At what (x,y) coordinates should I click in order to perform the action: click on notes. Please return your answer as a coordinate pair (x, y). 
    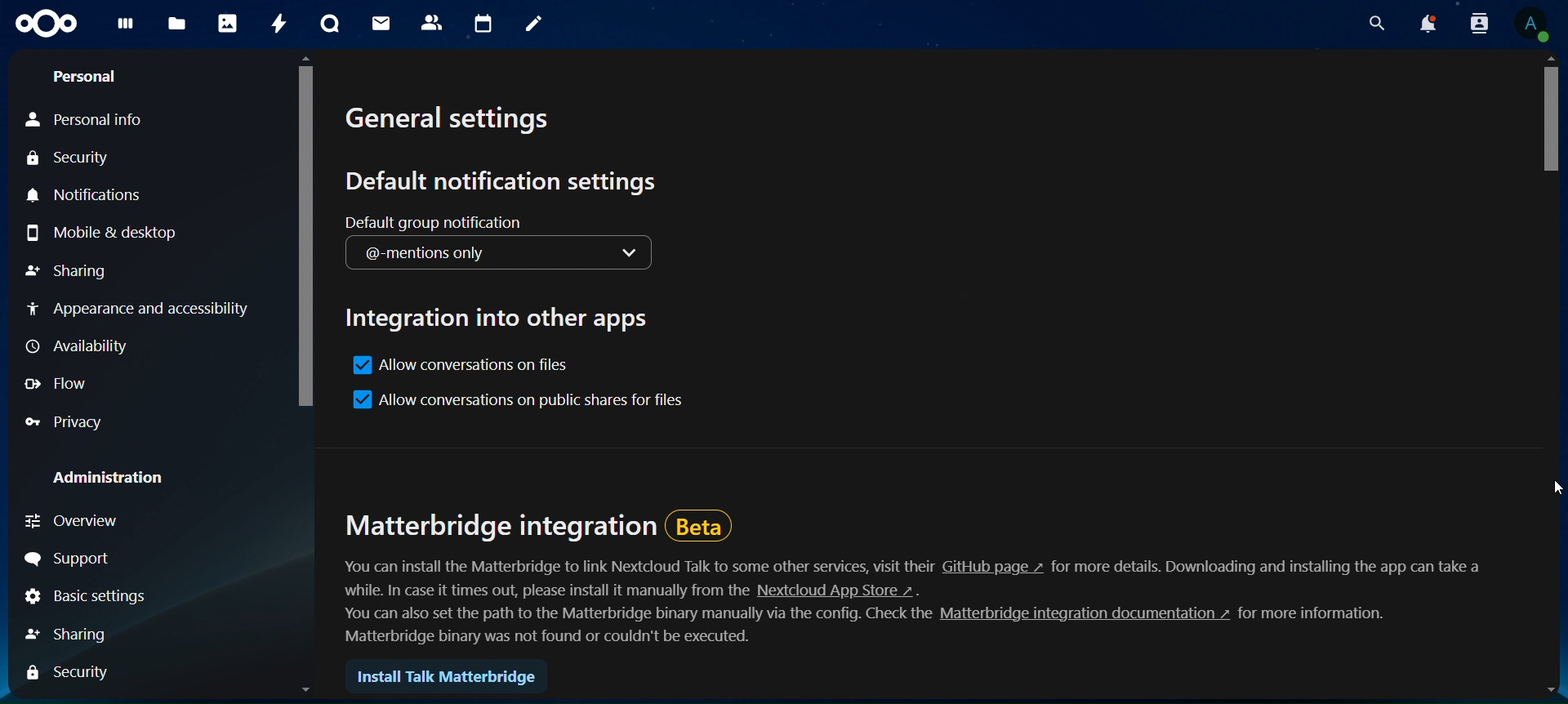
    Looking at the image, I should click on (536, 25).